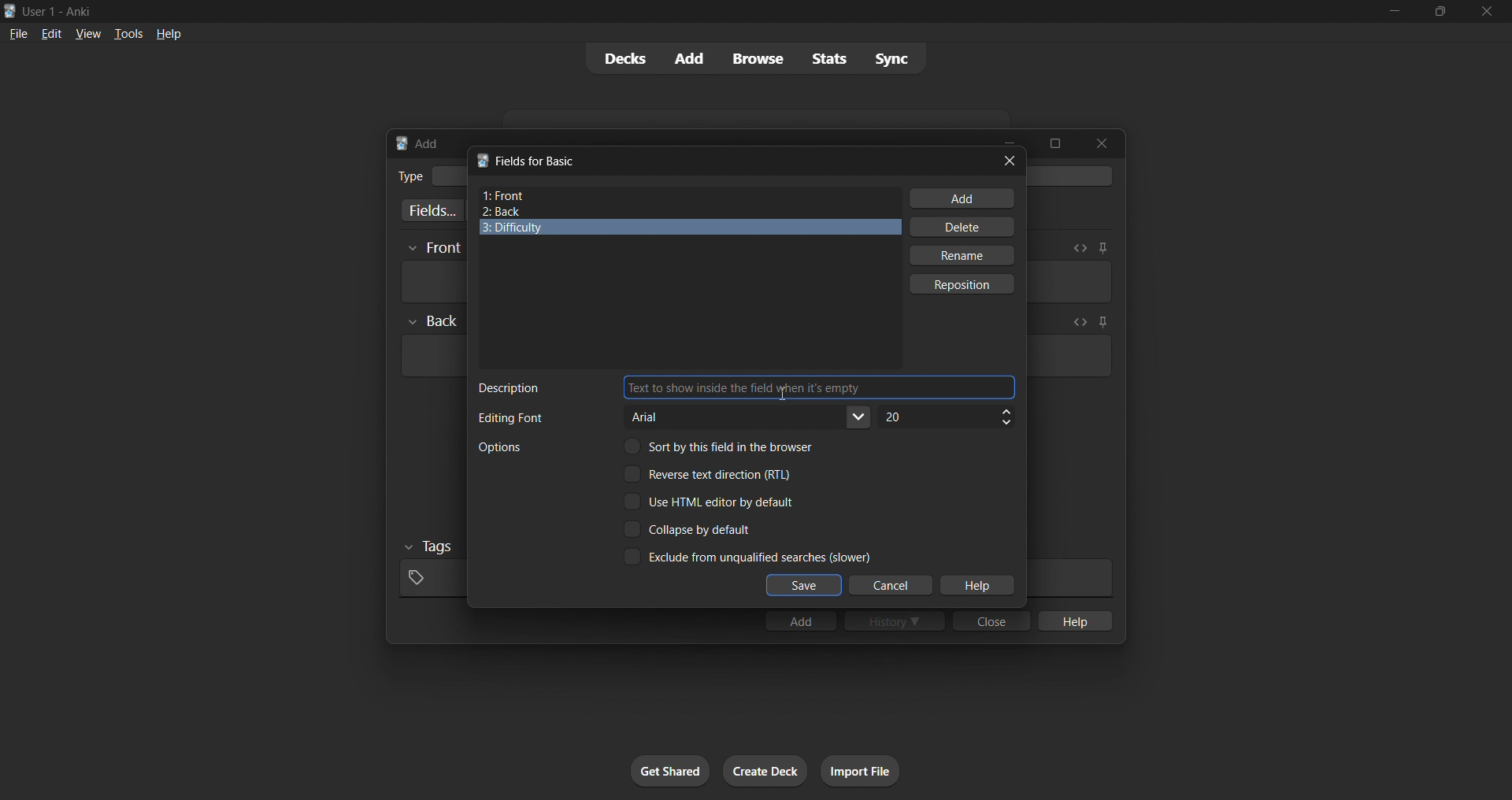  What do you see at coordinates (962, 198) in the screenshot?
I see `add ` at bounding box center [962, 198].